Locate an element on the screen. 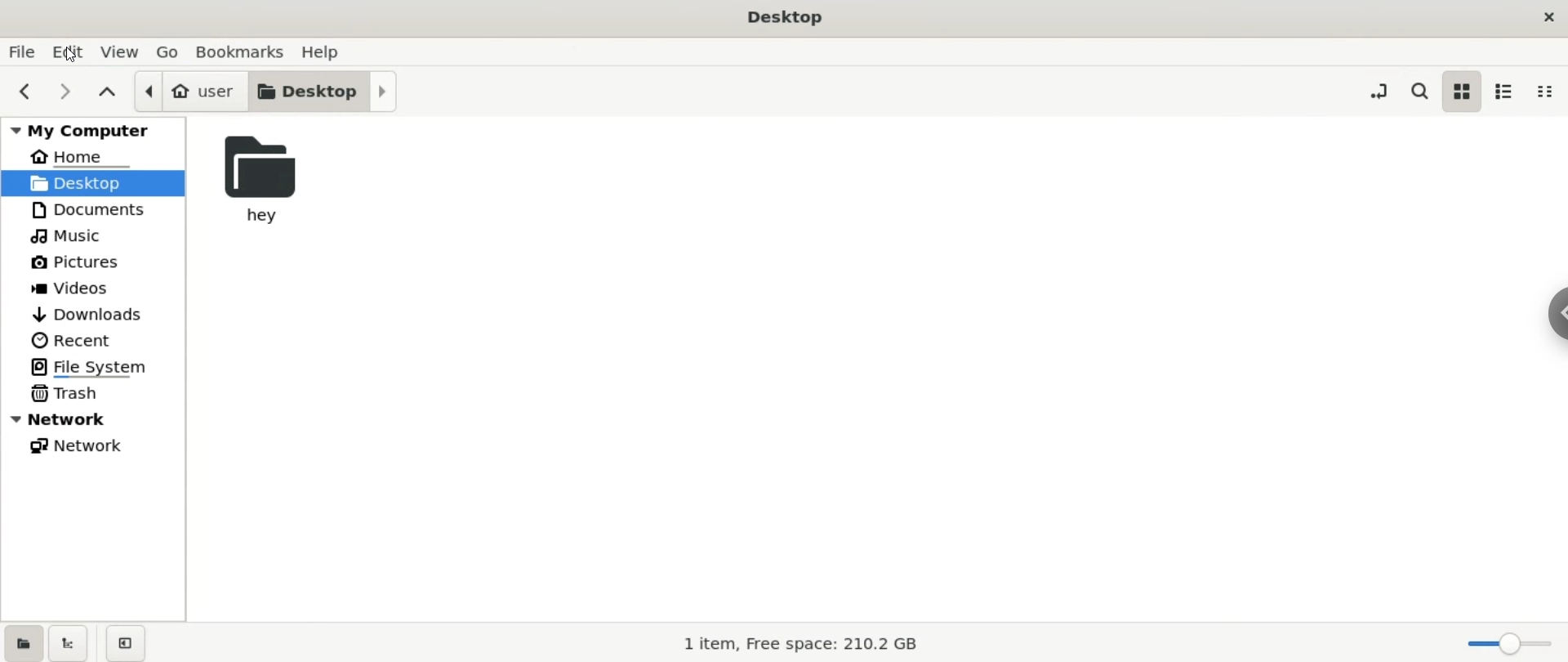  videos is located at coordinates (77, 288).